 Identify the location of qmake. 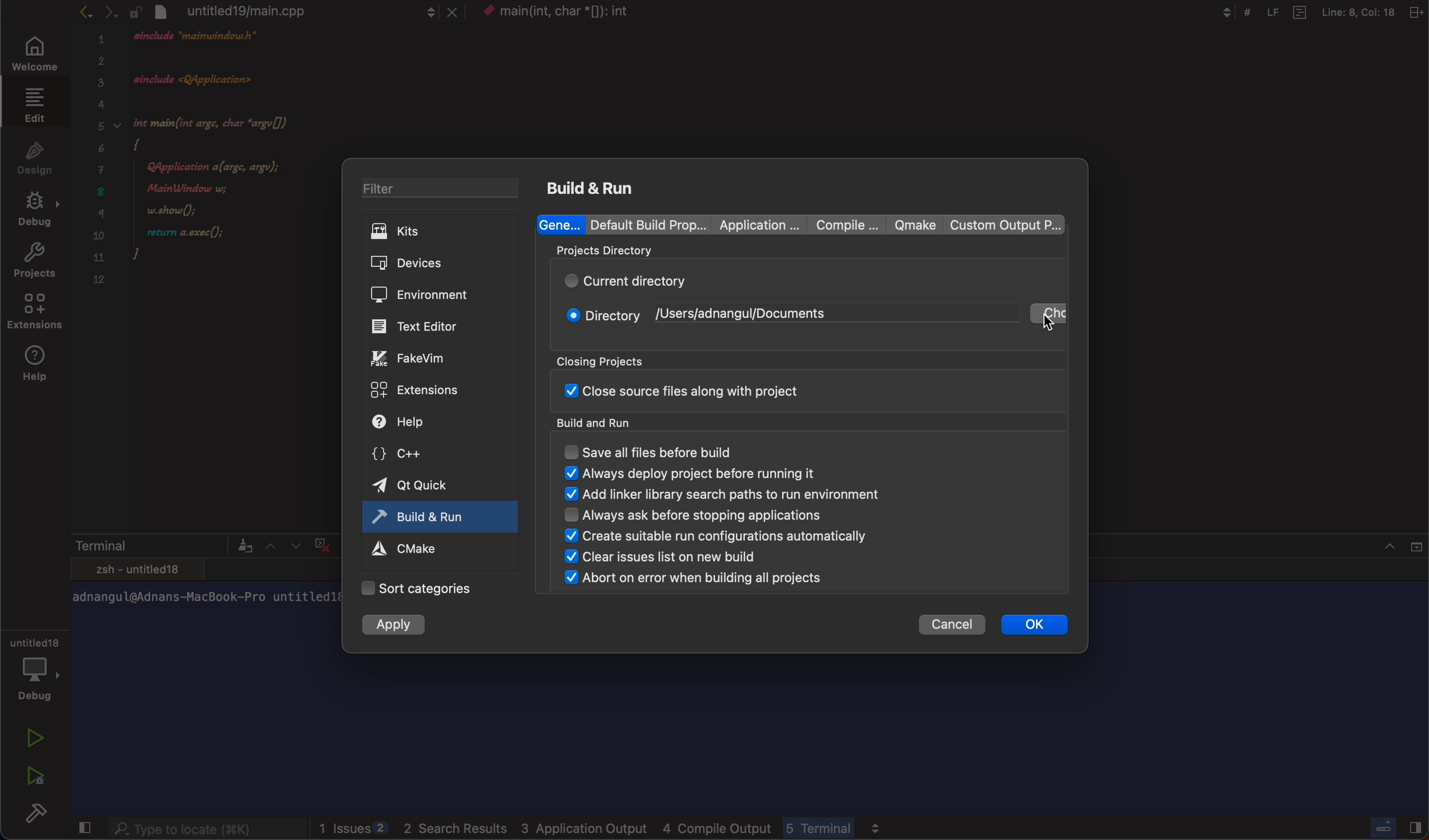
(915, 226).